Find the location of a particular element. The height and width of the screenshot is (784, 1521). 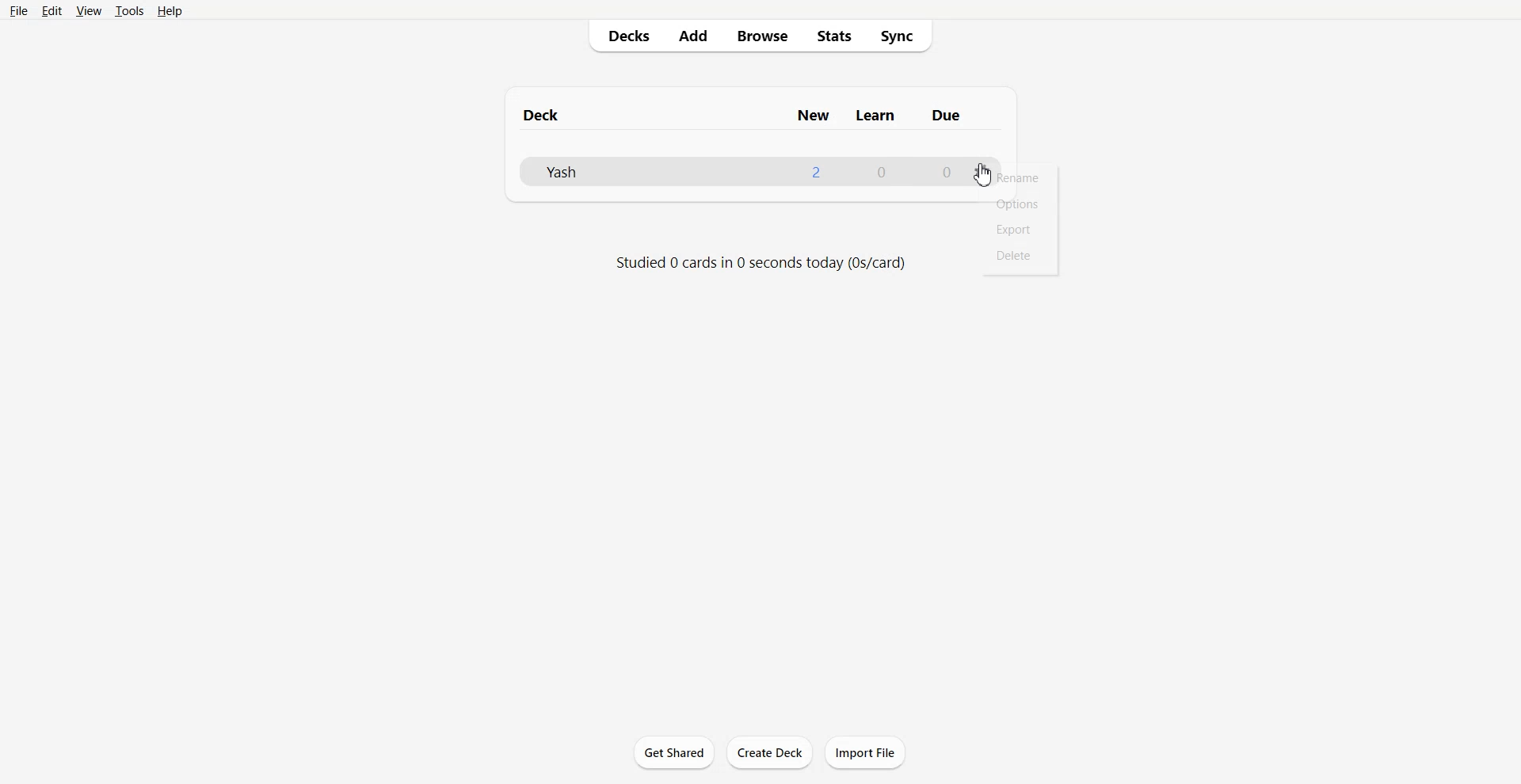

Browse is located at coordinates (760, 36).